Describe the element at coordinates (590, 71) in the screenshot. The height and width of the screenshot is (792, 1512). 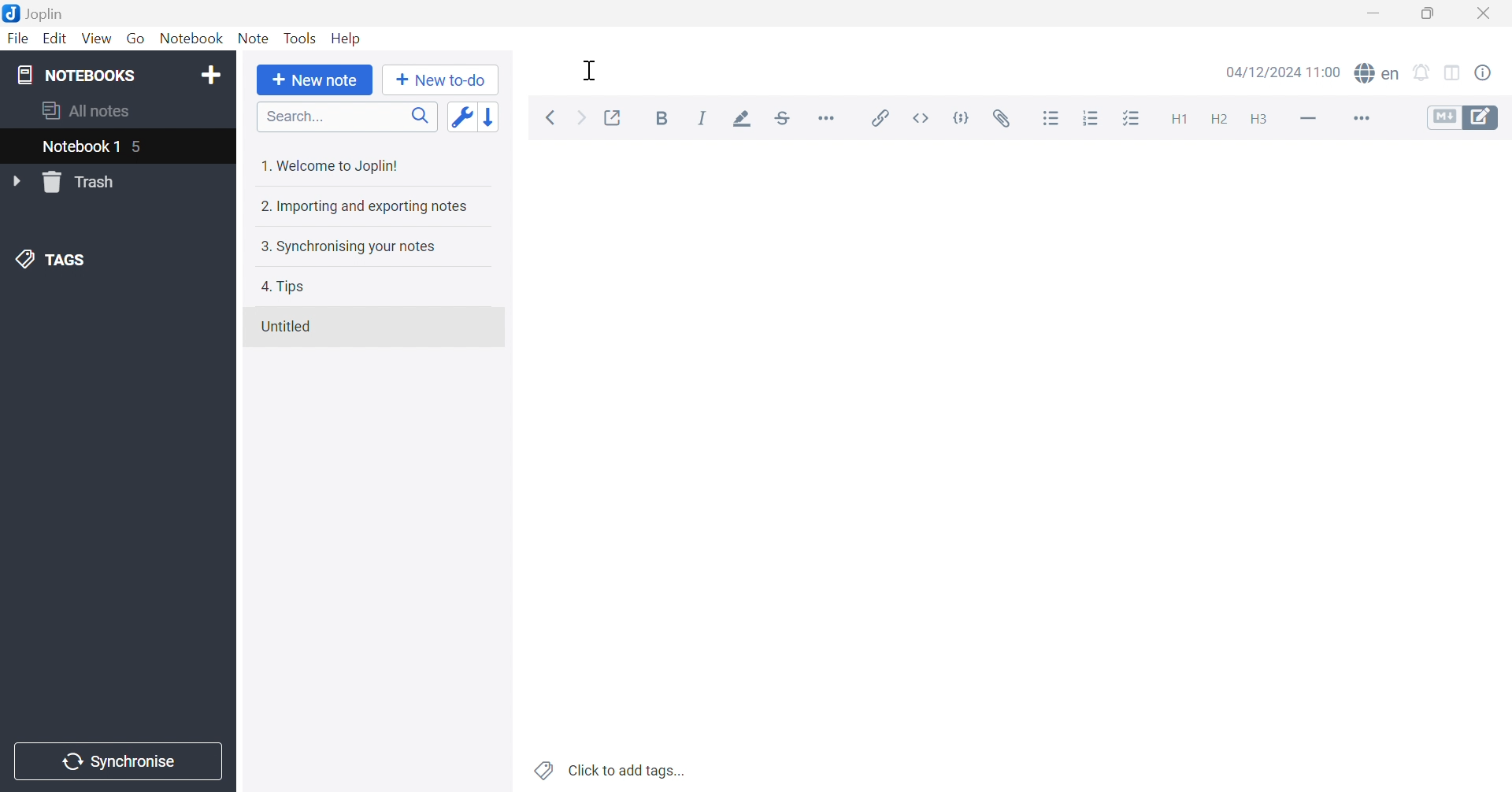
I see `Cursor` at that location.